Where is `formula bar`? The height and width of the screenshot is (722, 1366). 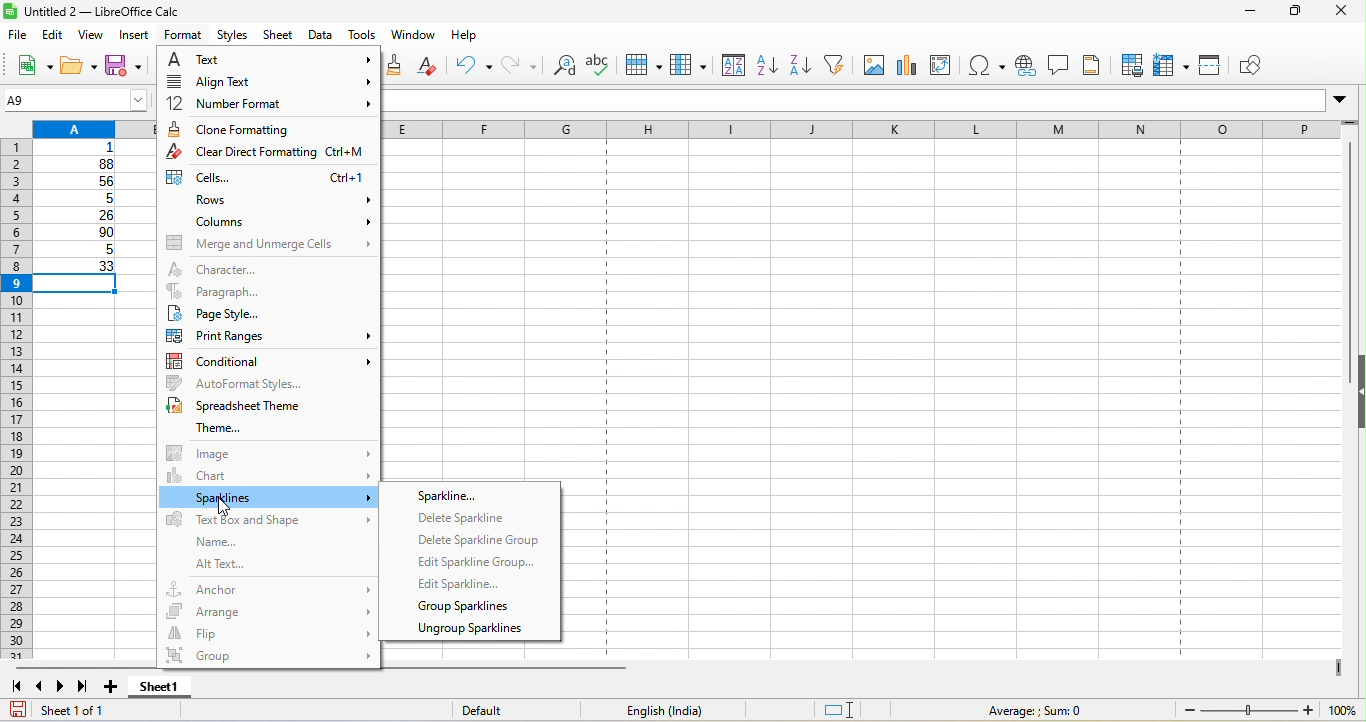 formula bar is located at coordinates (870, 103).